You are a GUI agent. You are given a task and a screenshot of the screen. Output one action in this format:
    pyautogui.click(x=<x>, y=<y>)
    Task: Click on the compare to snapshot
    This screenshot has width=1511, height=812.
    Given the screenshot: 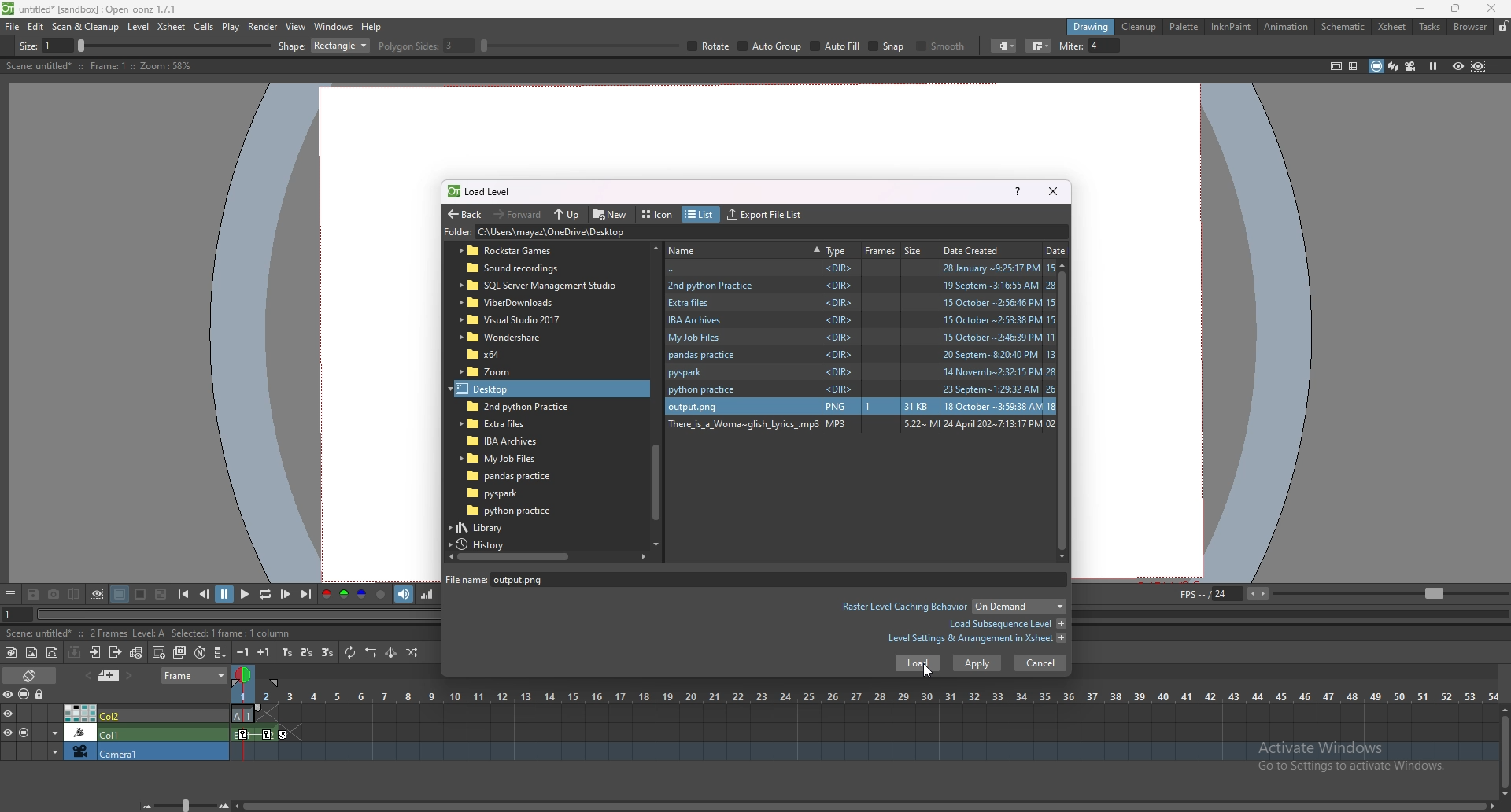 What is the action you would take?
    pyautogui.click(x=76, y=593)
    